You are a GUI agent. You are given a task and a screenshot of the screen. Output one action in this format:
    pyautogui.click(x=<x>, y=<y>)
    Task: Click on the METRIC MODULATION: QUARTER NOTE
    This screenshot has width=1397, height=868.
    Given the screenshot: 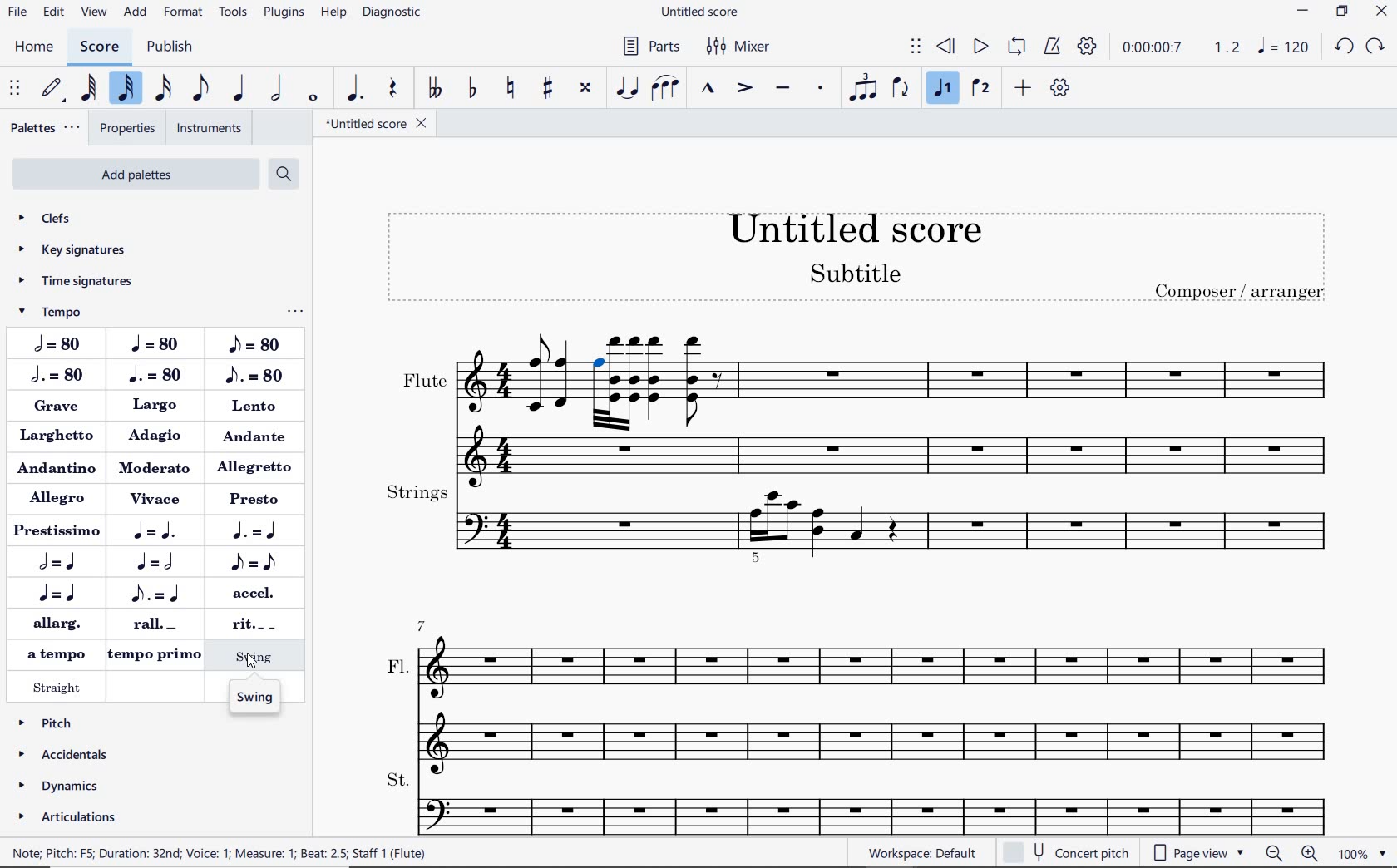 What is the action you would take?
    pyautogui.click(x=62, y=594)
    